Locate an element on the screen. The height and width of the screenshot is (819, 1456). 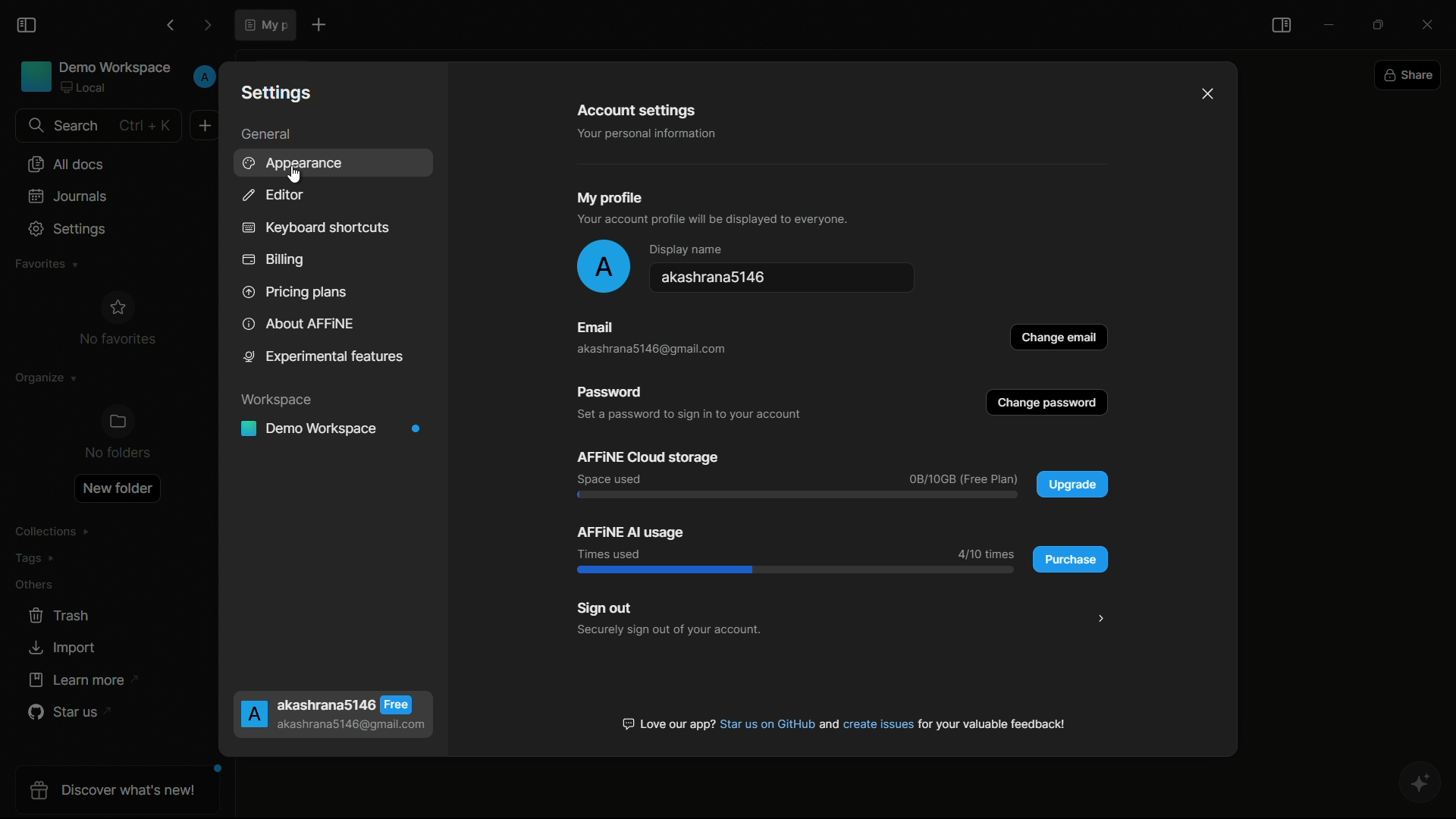
Email is located at coordinates (595, 325).